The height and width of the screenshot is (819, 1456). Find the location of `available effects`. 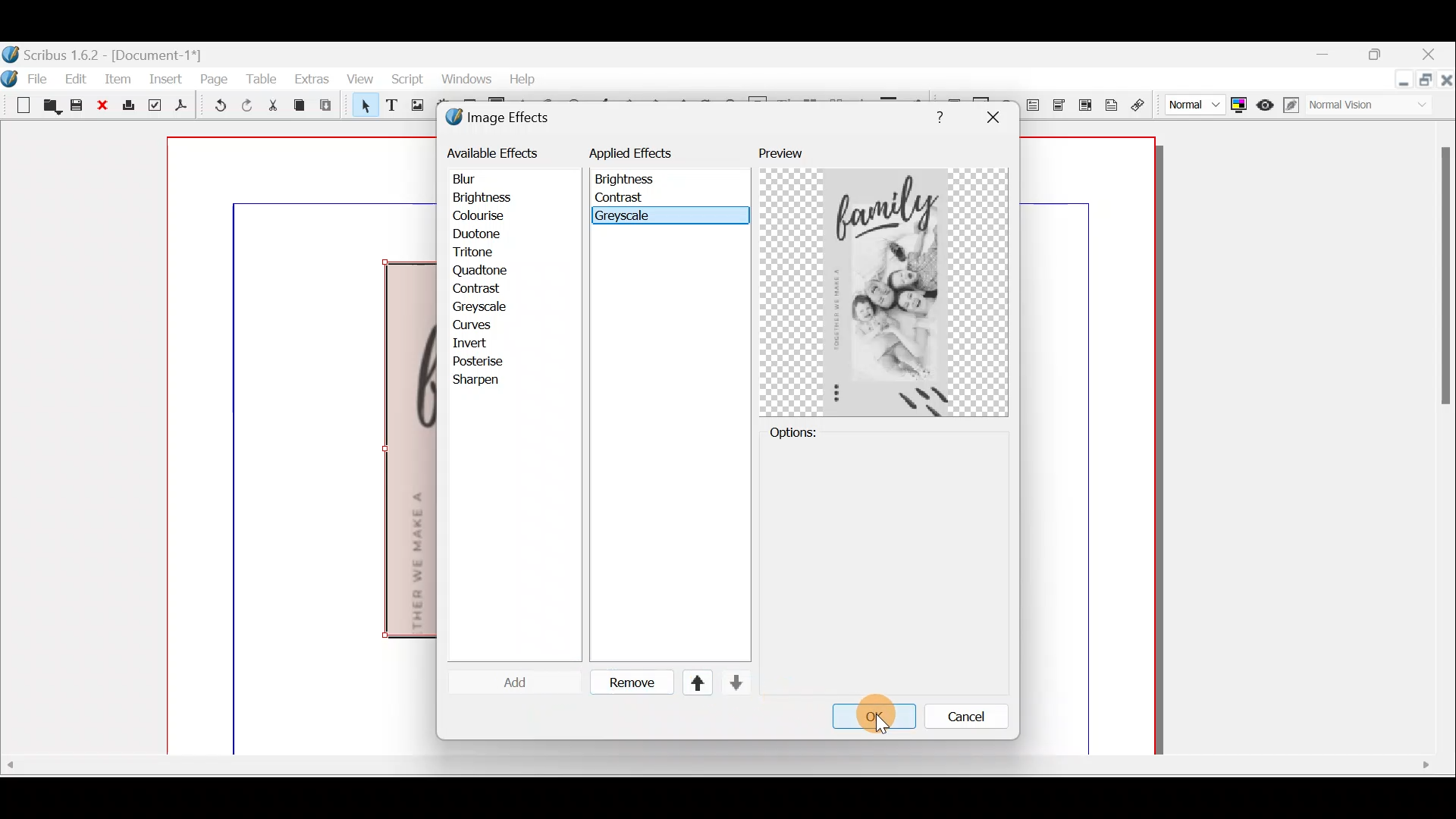

available effects is located at coordinates (494, 153).